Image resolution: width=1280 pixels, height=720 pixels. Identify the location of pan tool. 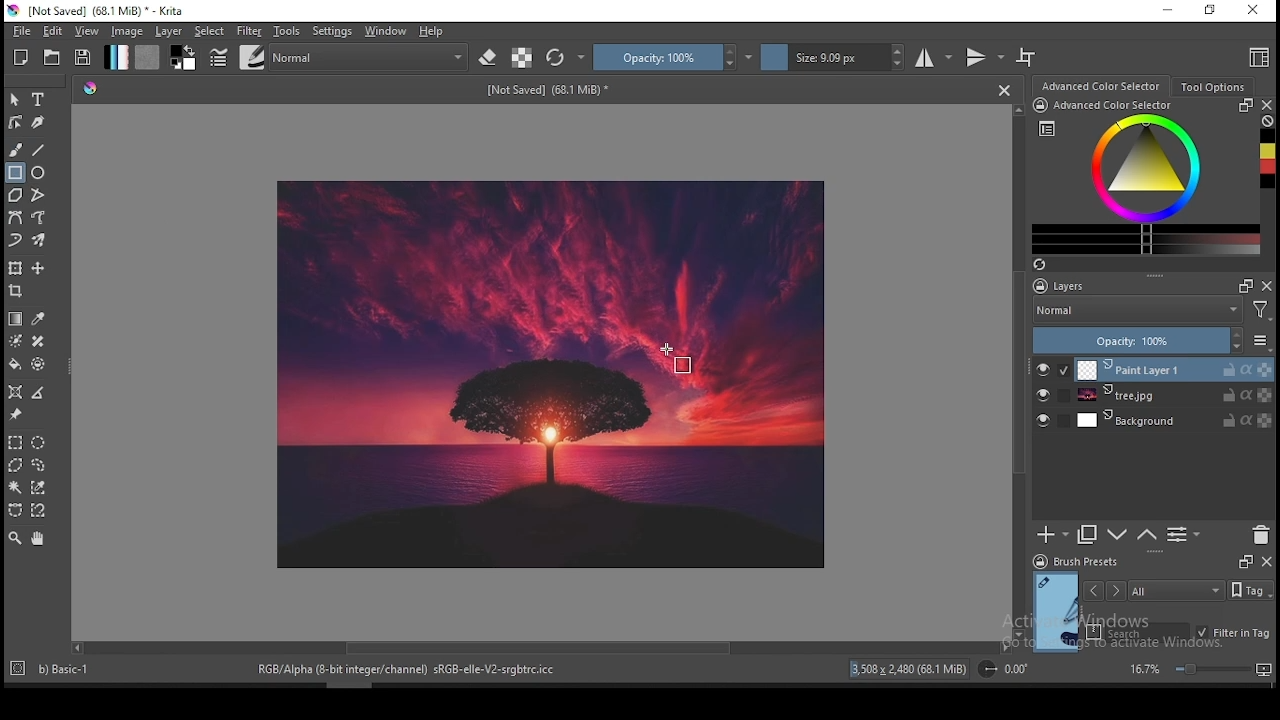
(37, 540).